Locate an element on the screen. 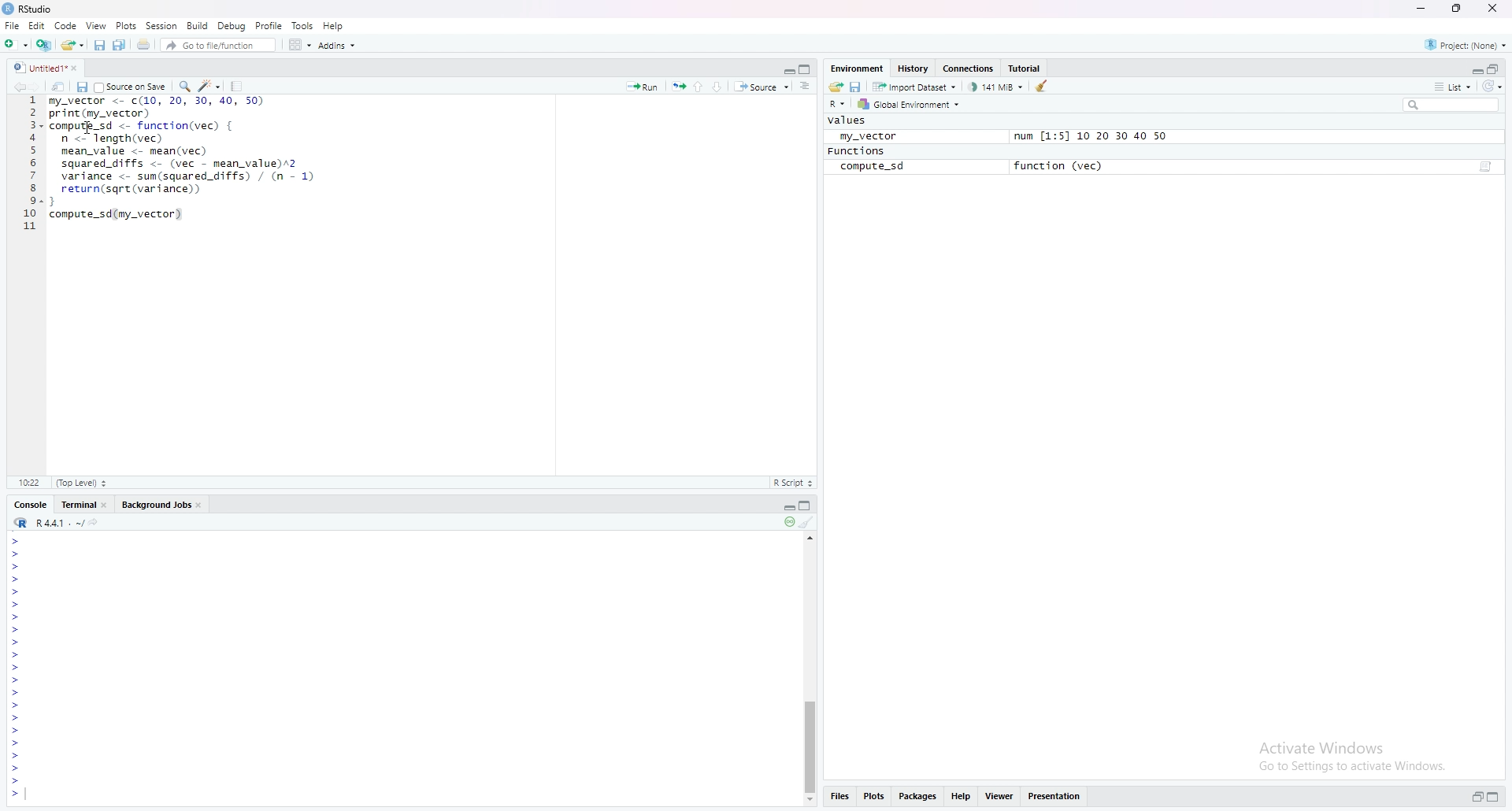 The height and width of the screenshot is (811, 1512). Help is located at coordinates (960, 795).